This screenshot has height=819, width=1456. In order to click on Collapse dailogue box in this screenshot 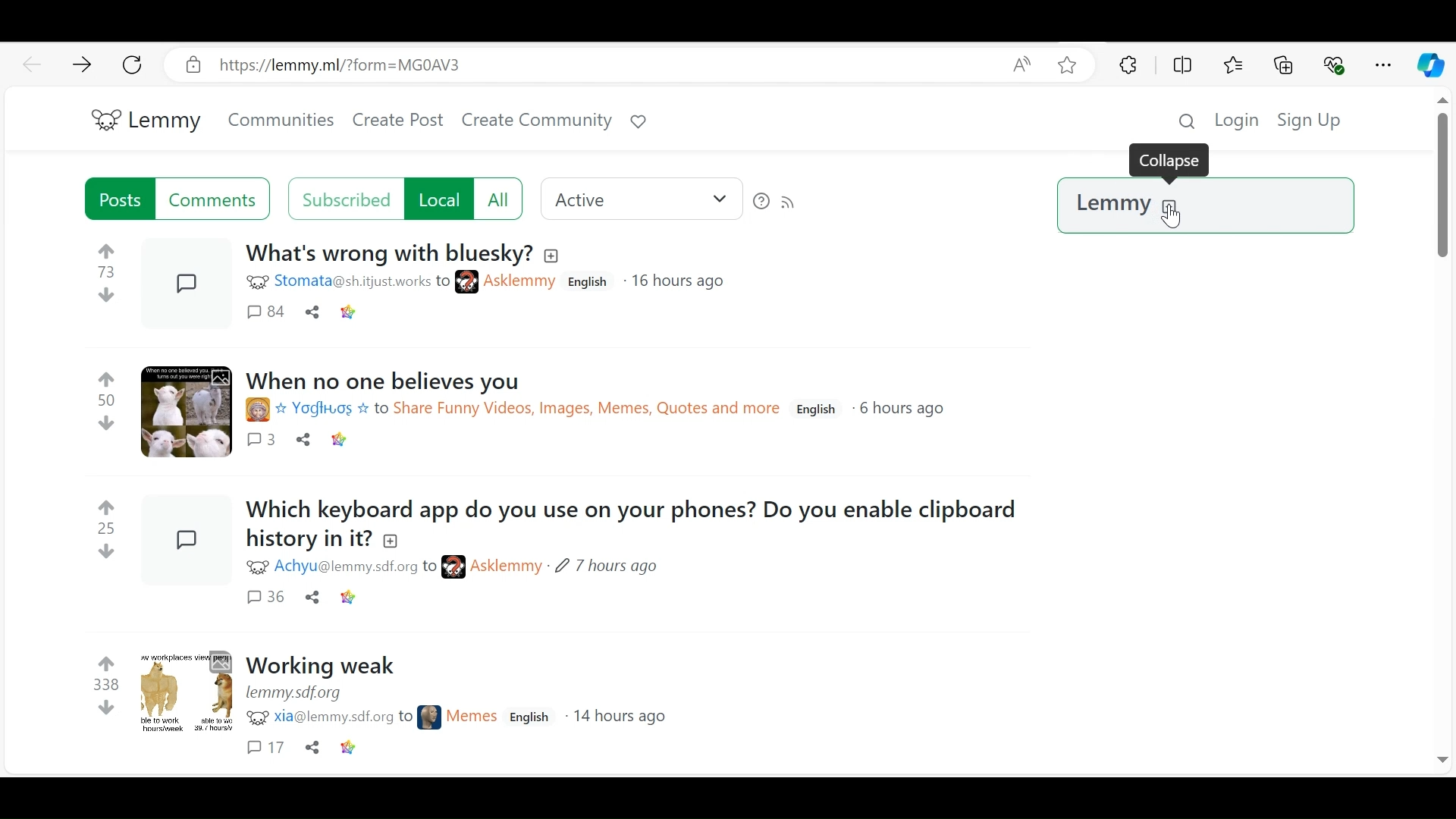, I will do `click(1170, 158)`.